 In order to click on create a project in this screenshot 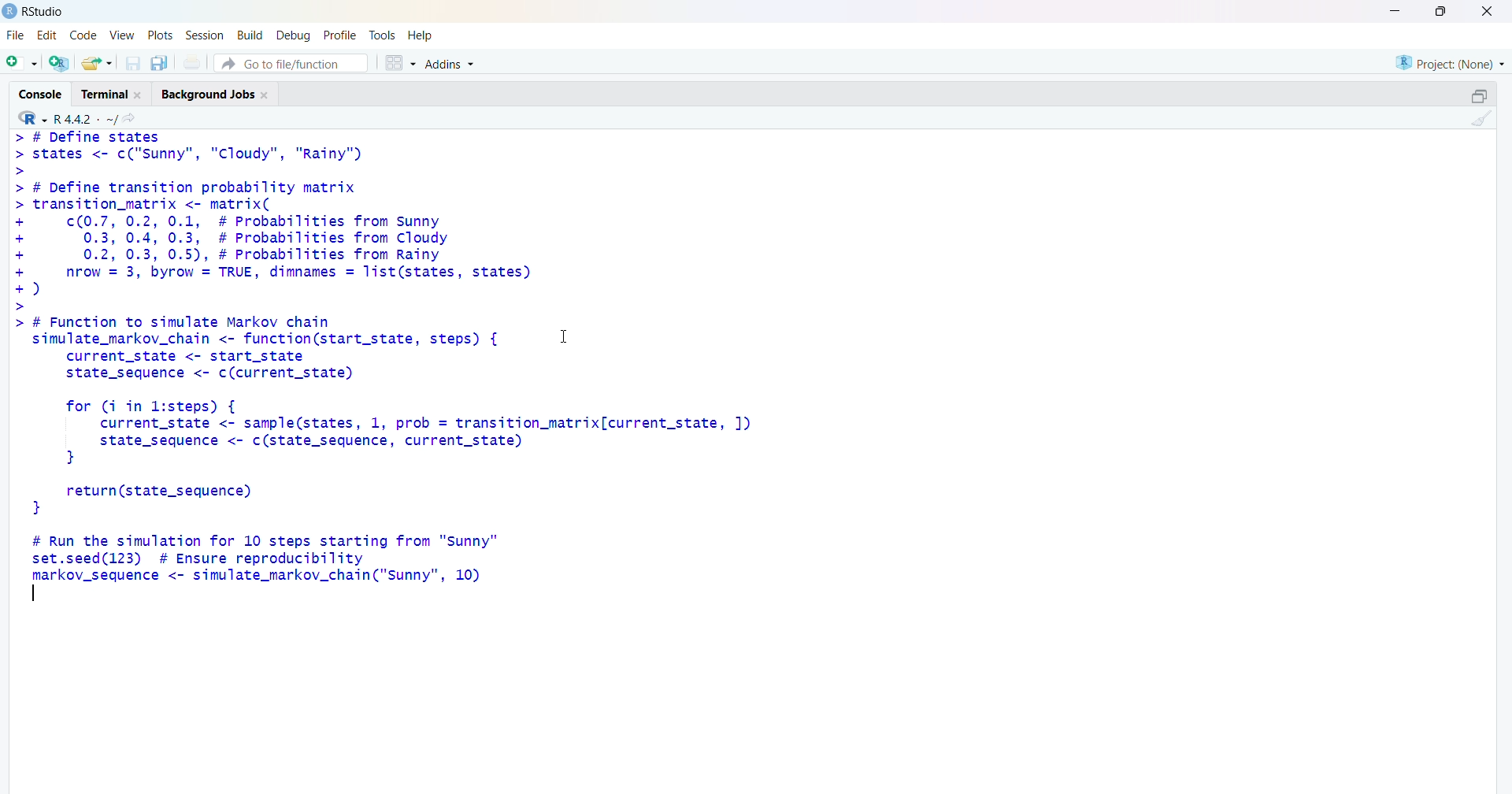, I will do `click(57, 64)`.